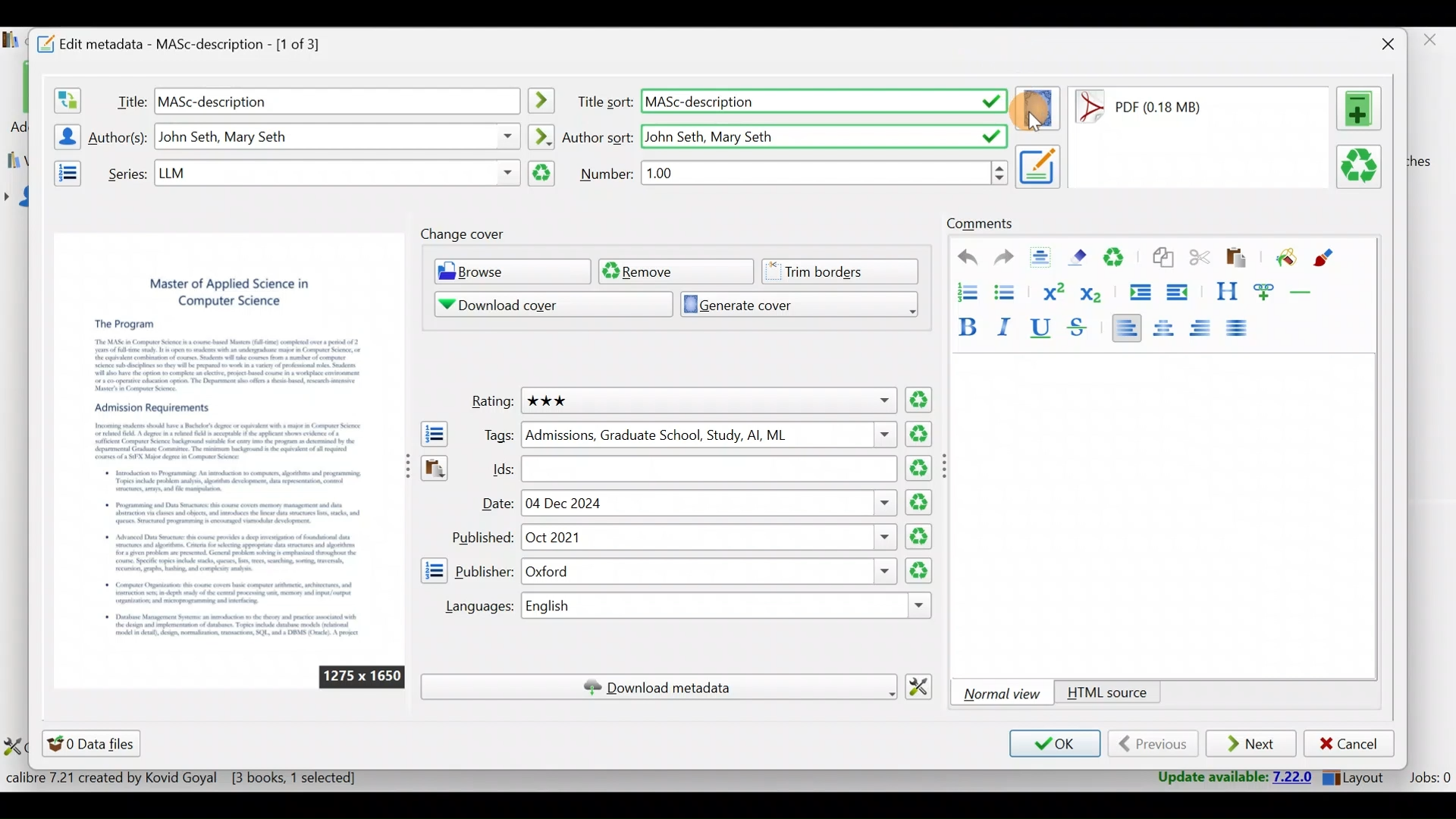 Image resolution: width=1456 pixels, height=819 pixels. I want to click on Clear series, so click(542, 174).